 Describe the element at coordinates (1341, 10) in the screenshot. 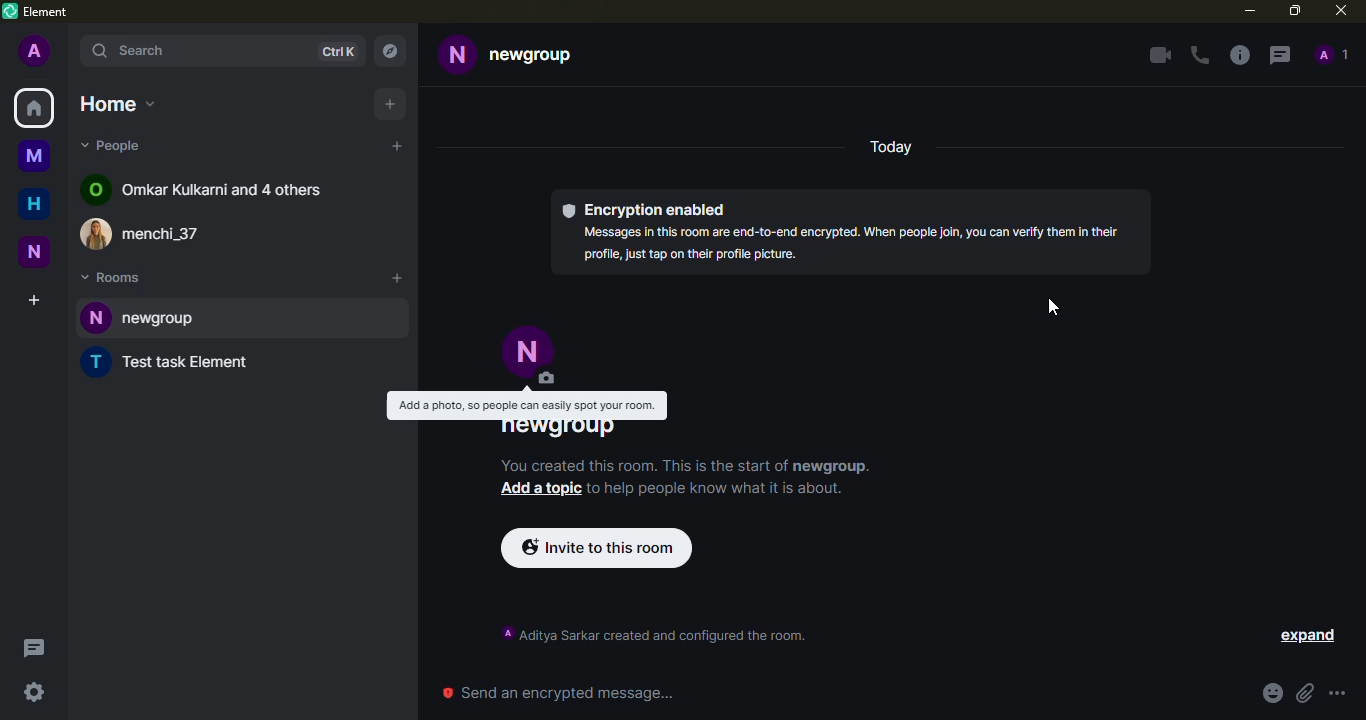

I see `close` at that location.